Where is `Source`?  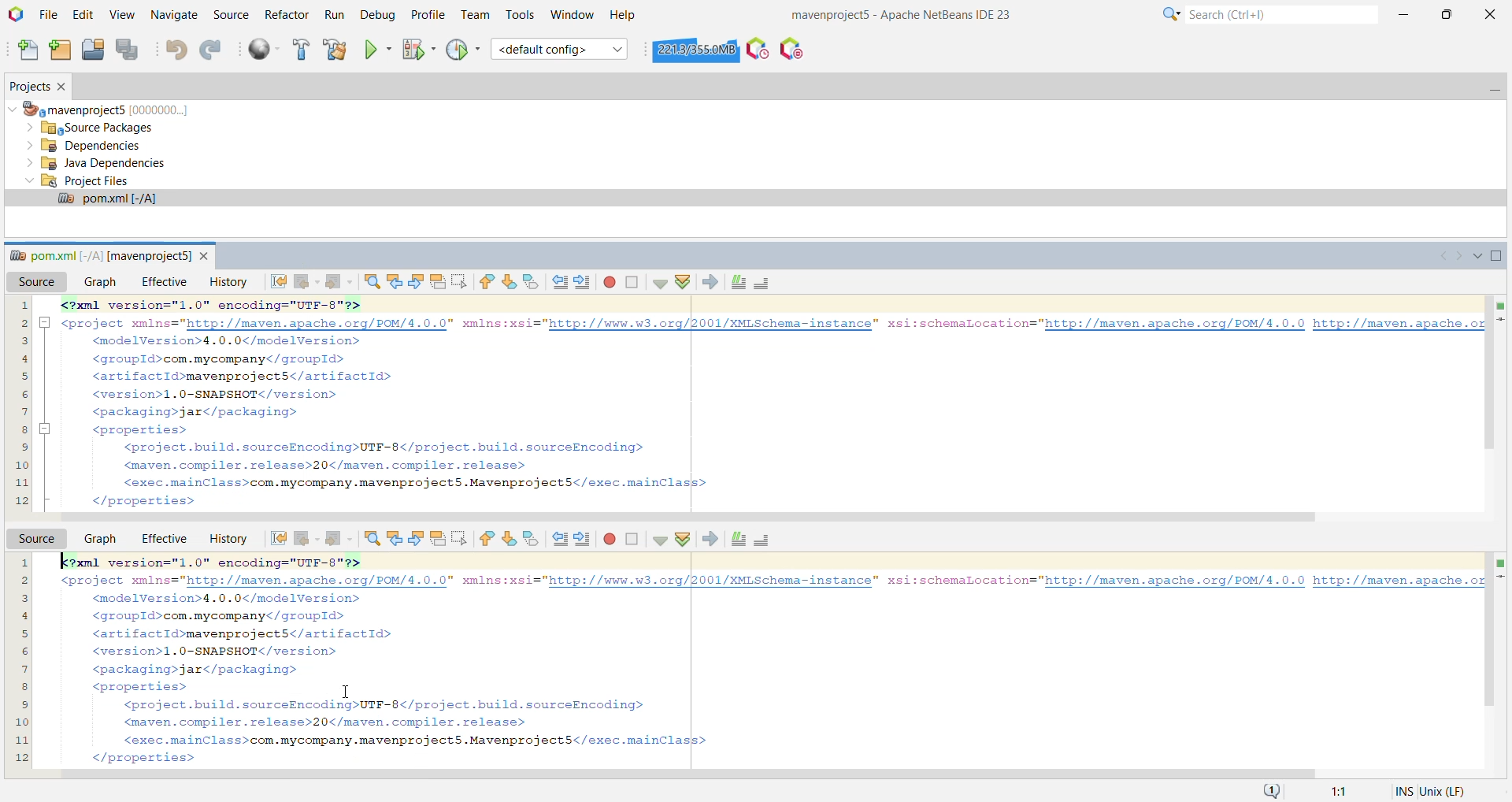 Source is located at coordinates (34, 538).